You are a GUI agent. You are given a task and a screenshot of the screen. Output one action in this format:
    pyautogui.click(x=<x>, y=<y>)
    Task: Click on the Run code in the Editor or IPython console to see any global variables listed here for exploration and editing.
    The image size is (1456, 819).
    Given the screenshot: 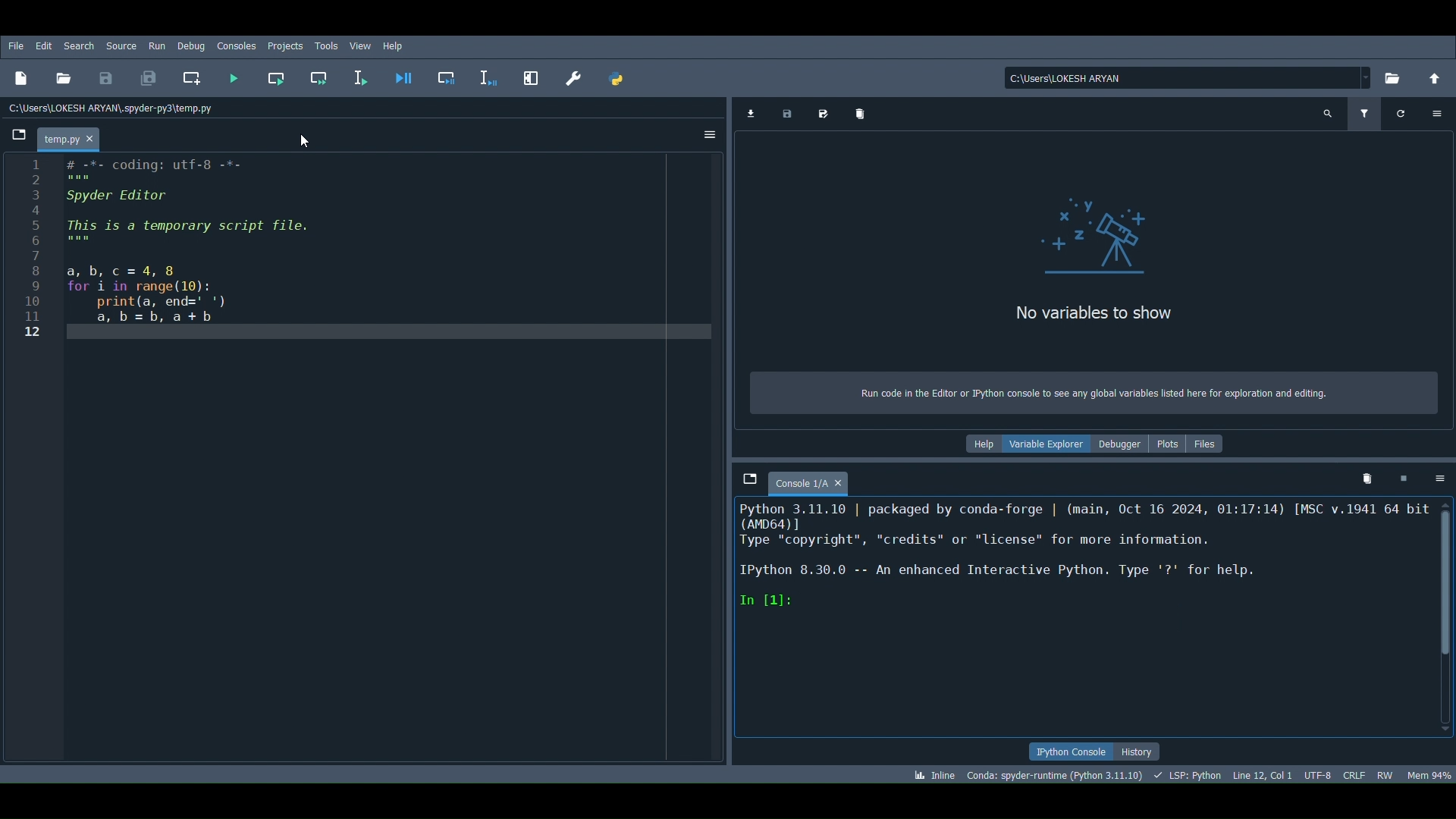 What is the action you would take?
    pyautogui.click(x=1095, y=393)
    